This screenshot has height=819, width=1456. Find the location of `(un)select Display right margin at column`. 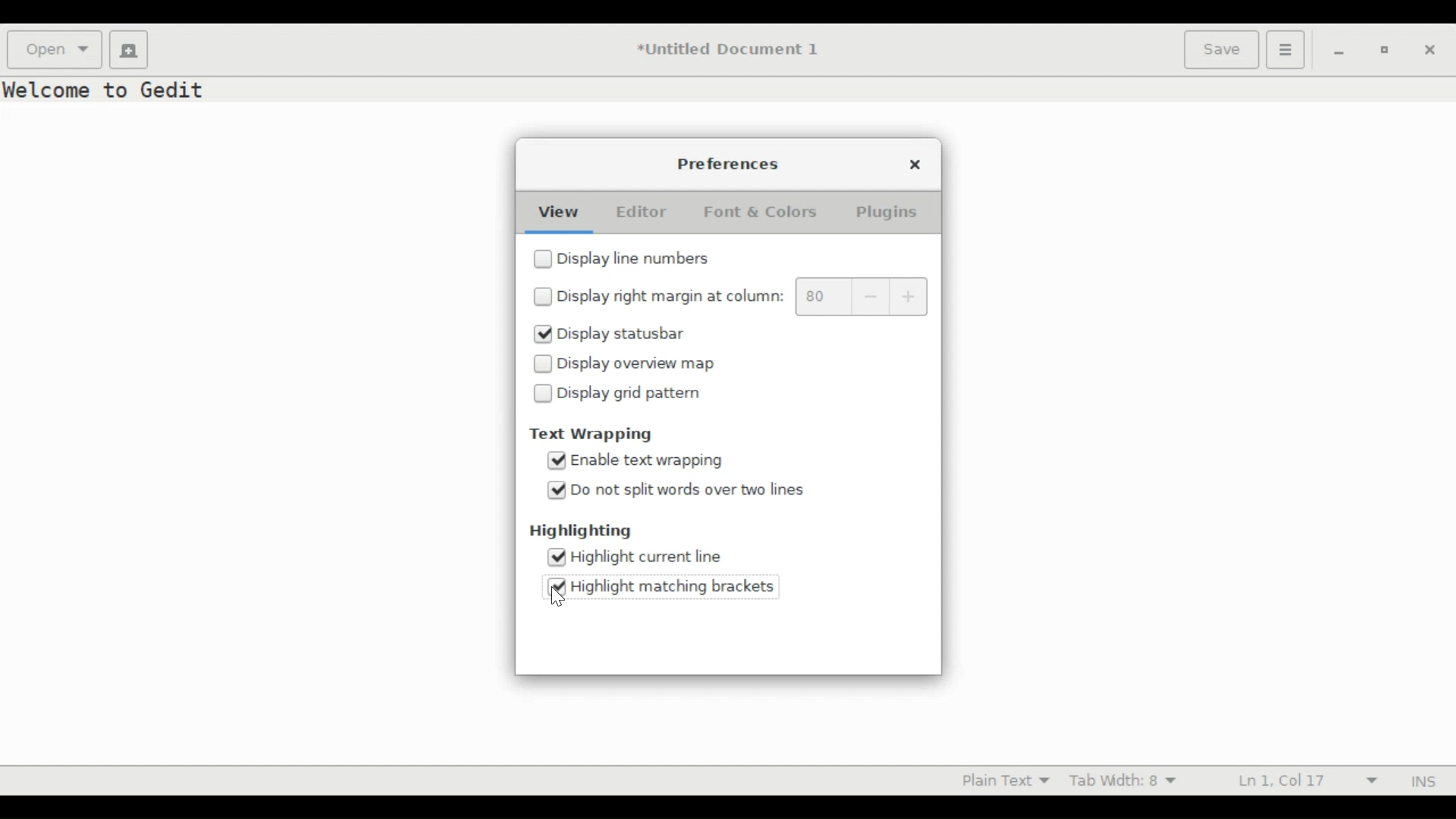

(un)select Display right margin at column is located at coordinates (672, 296).